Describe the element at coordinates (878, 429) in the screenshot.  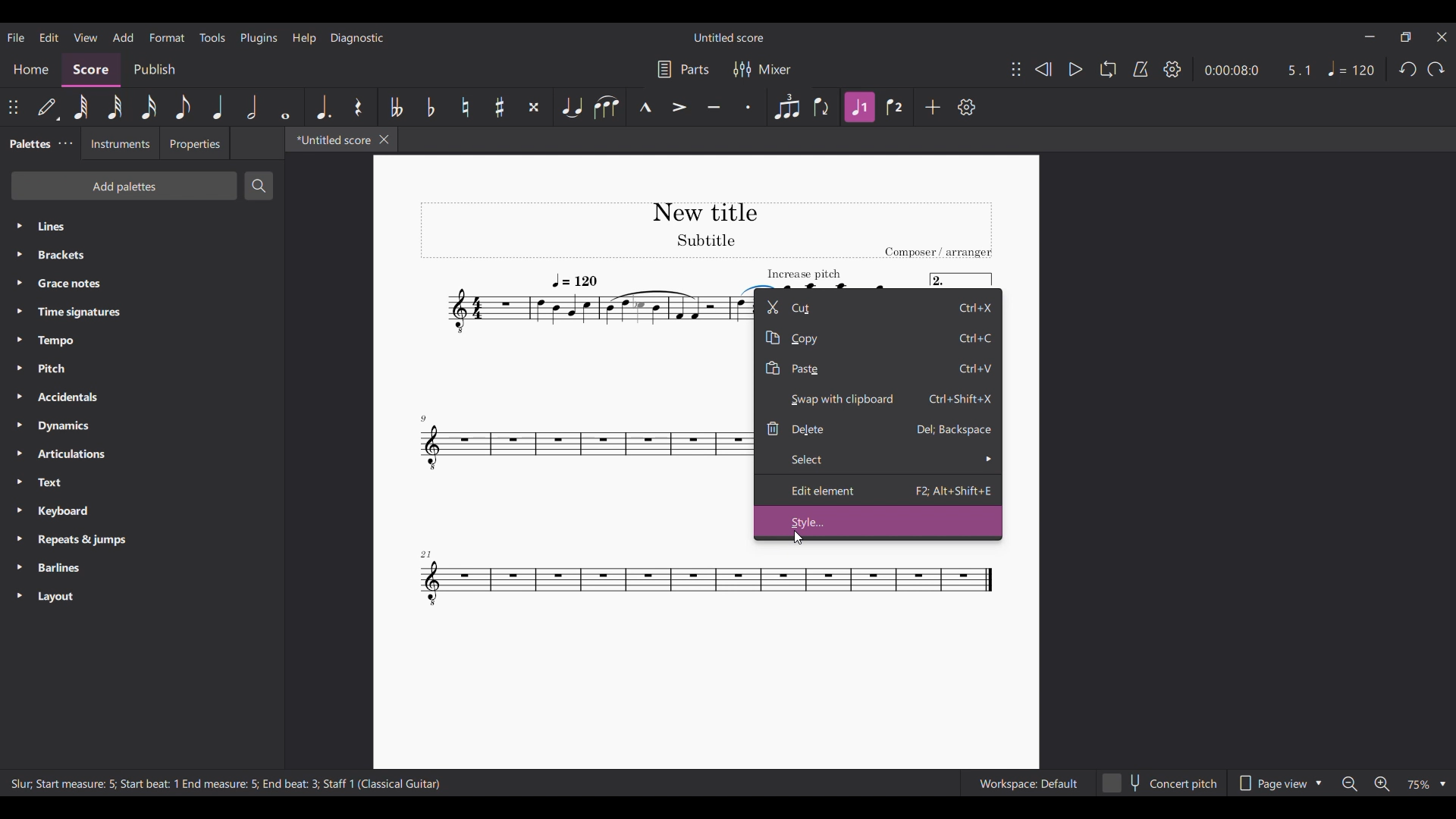
I see `Delete` at that location.